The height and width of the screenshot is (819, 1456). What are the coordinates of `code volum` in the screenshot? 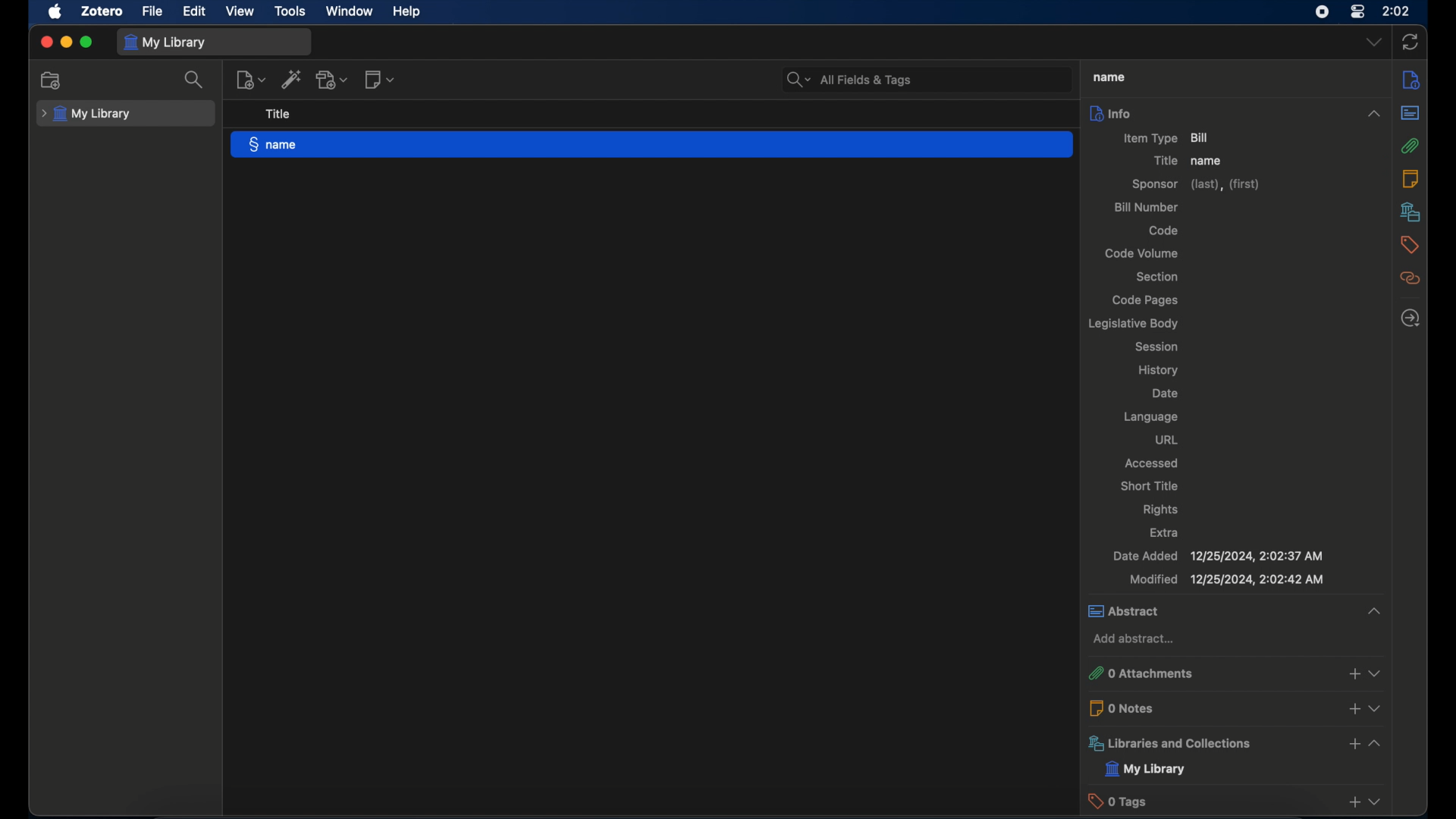 It's located at (1142, 254).